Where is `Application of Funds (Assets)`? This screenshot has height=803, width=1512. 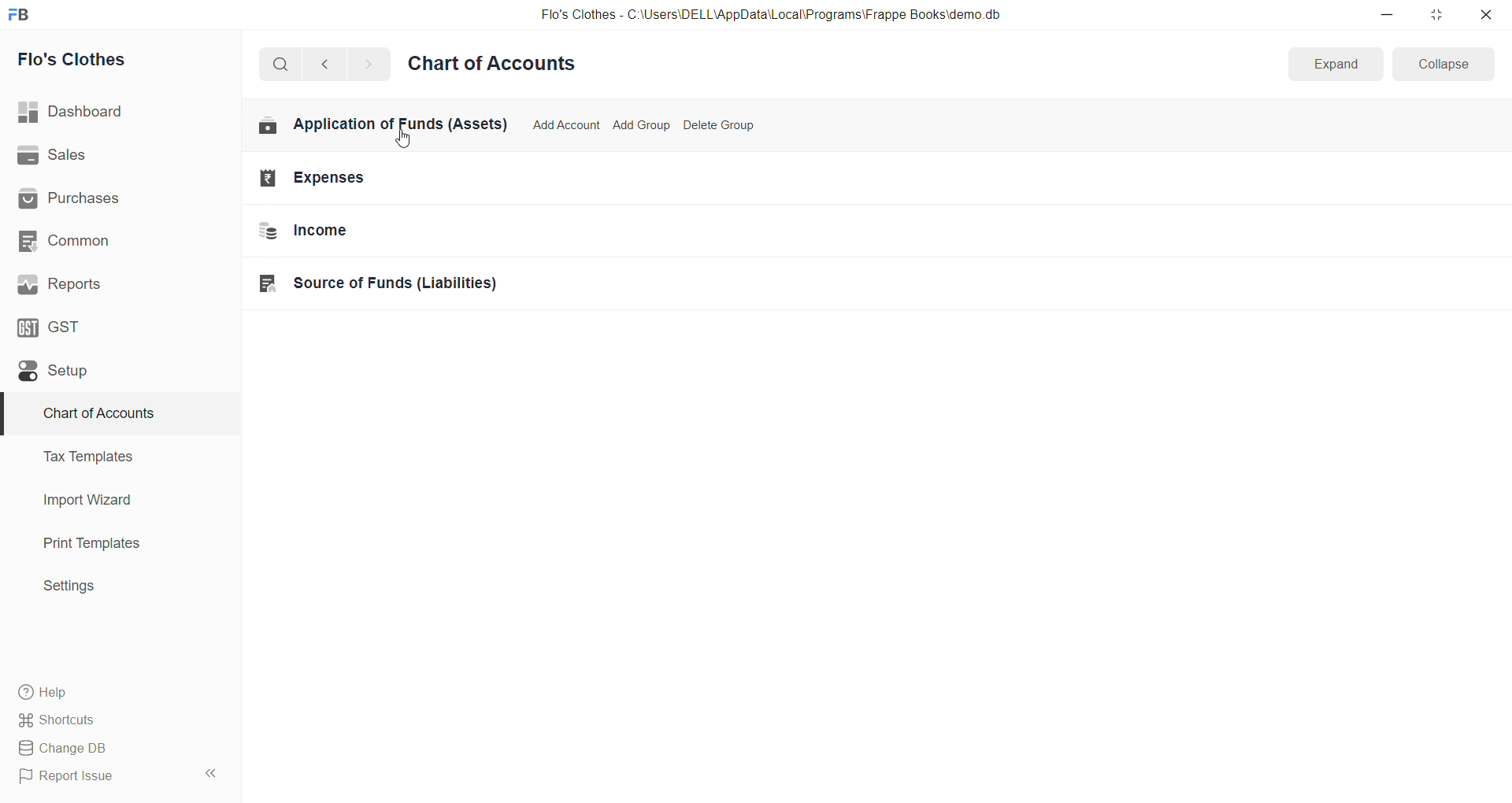 Application of Funds (Assets) is located at coordinates (384, 124).